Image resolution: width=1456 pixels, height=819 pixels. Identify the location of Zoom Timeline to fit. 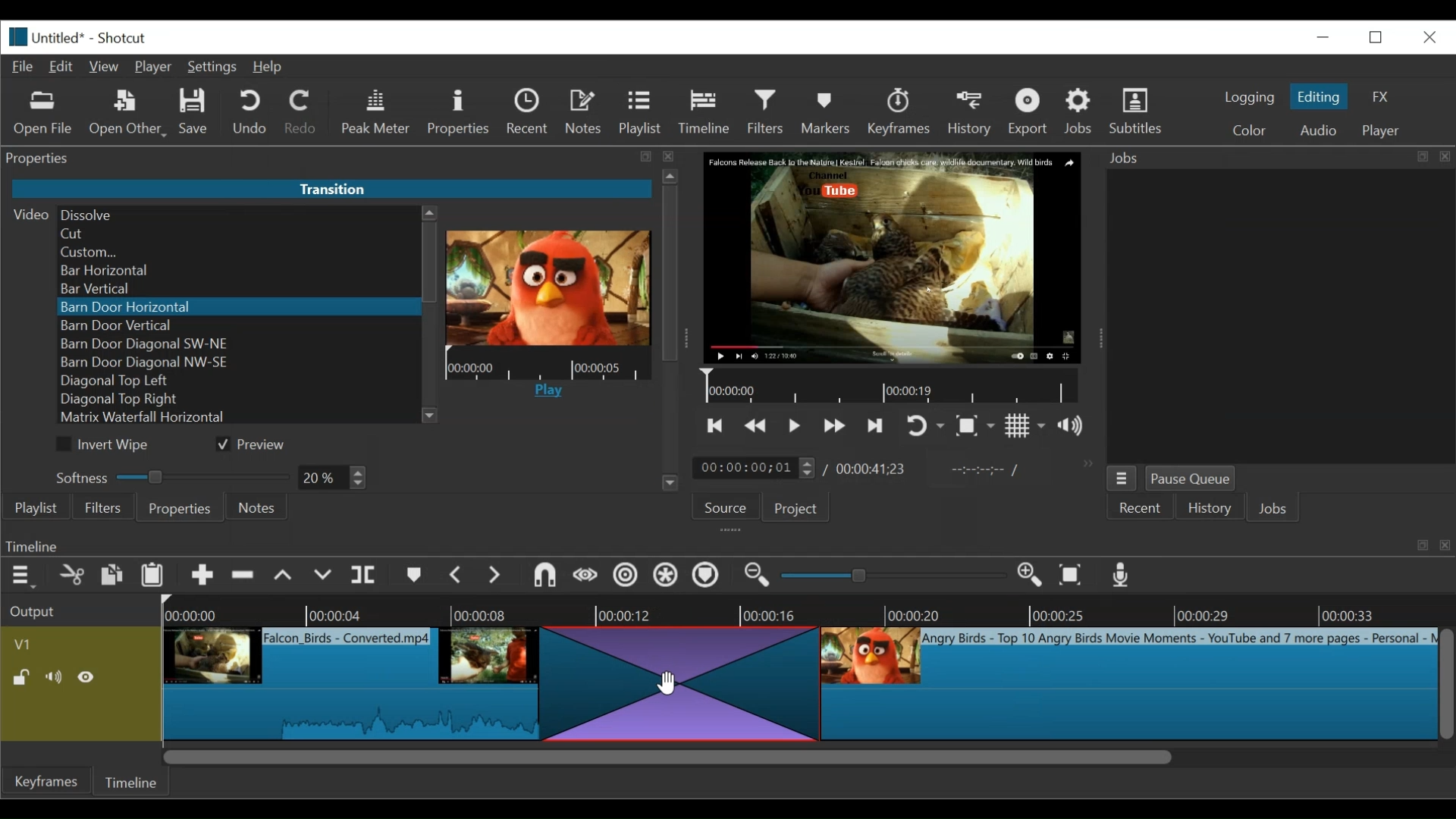
(1072, 574).